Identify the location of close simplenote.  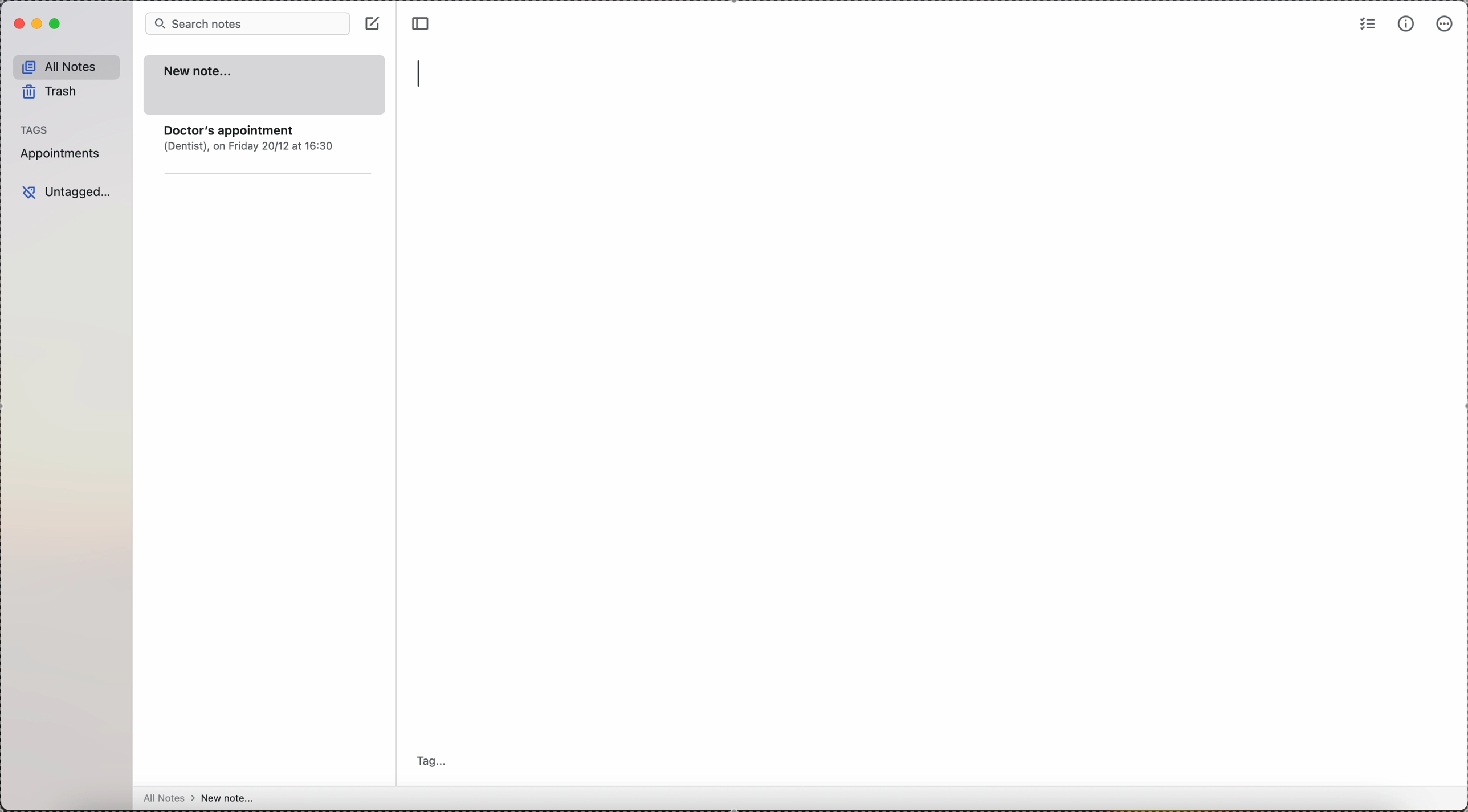
(17, 25).